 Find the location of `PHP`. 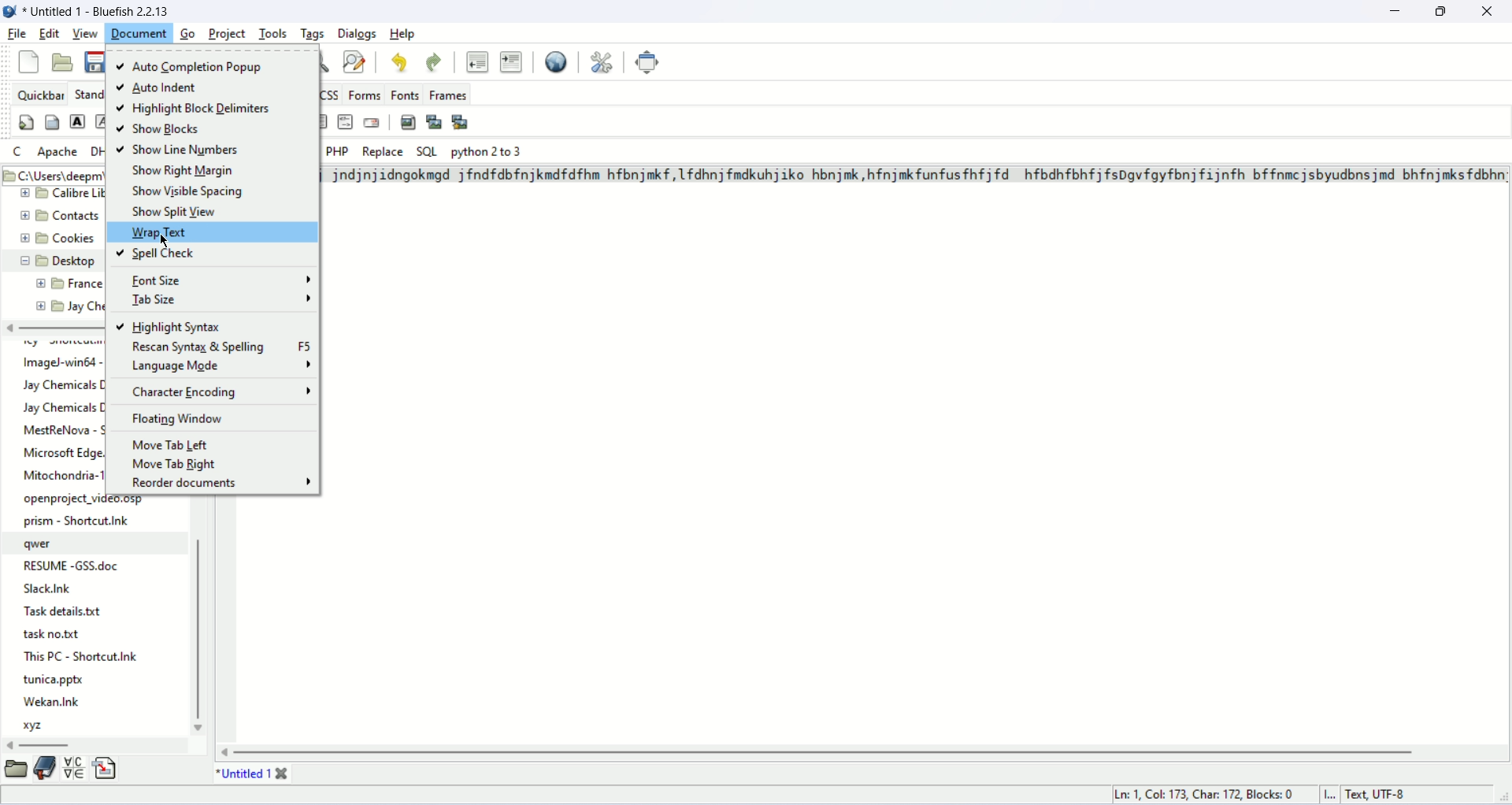

PHP is located at coordinates (339, 151).